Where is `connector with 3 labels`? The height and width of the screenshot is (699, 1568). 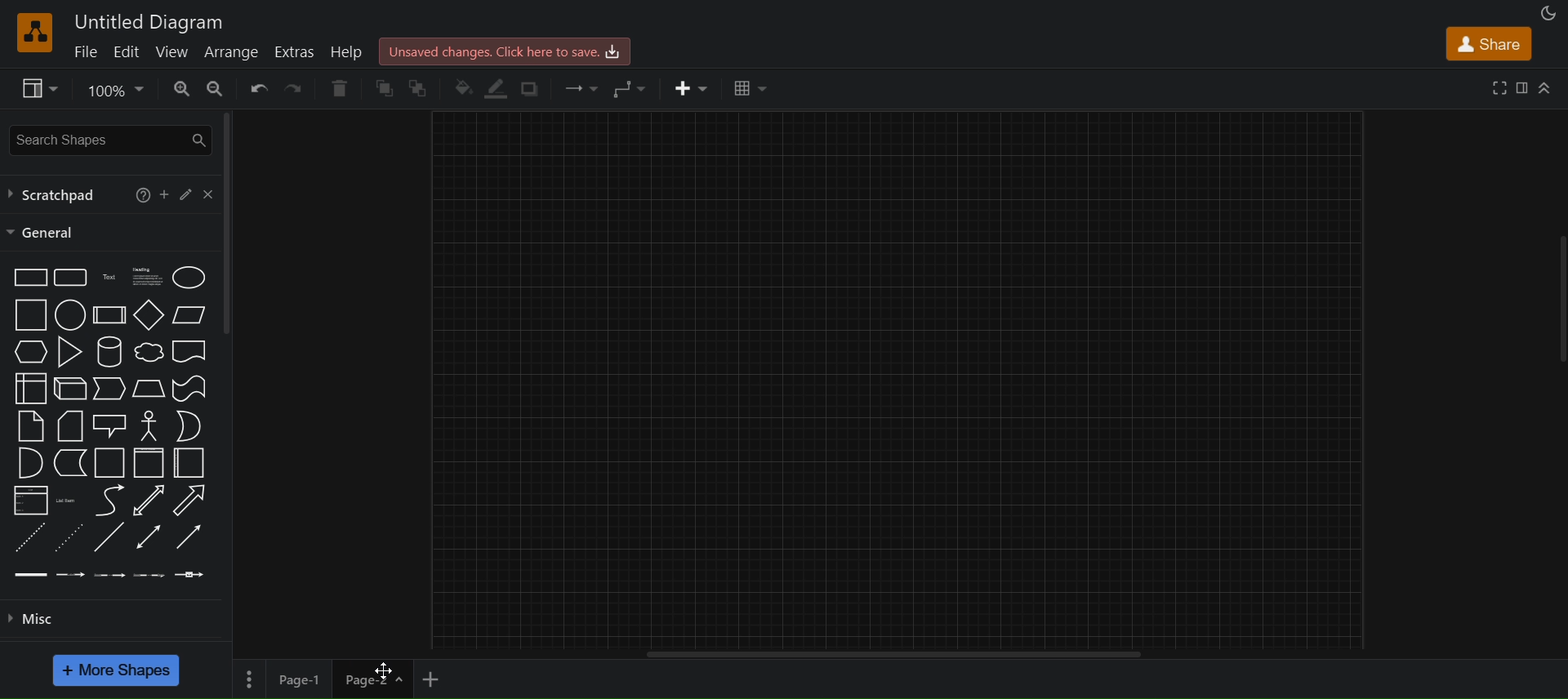 connector with 3 labels is located at coordinates (147, 574).